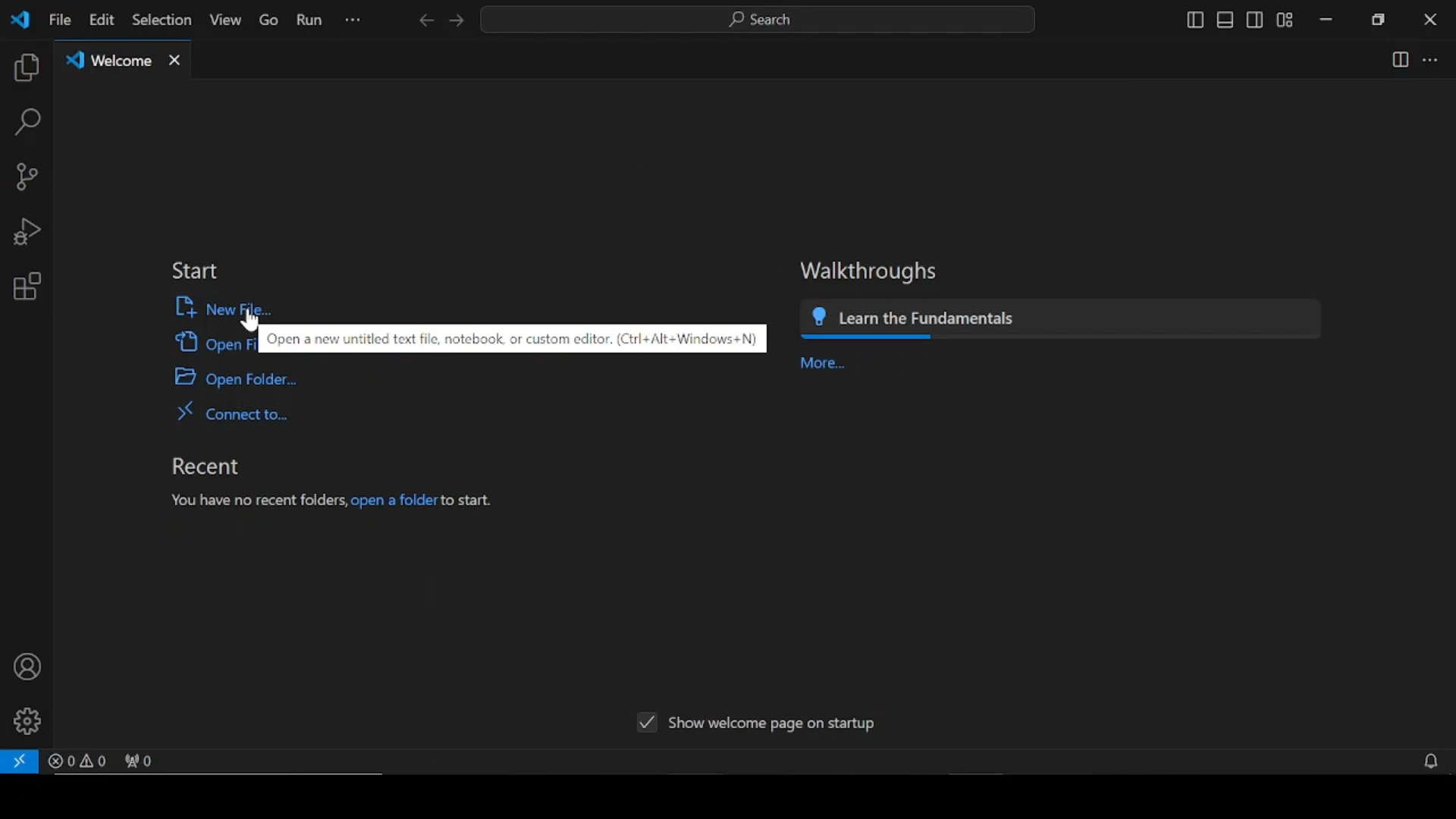  Describe the element at coordinates (100, 20) in the screenshot. I see `edit` at that location.